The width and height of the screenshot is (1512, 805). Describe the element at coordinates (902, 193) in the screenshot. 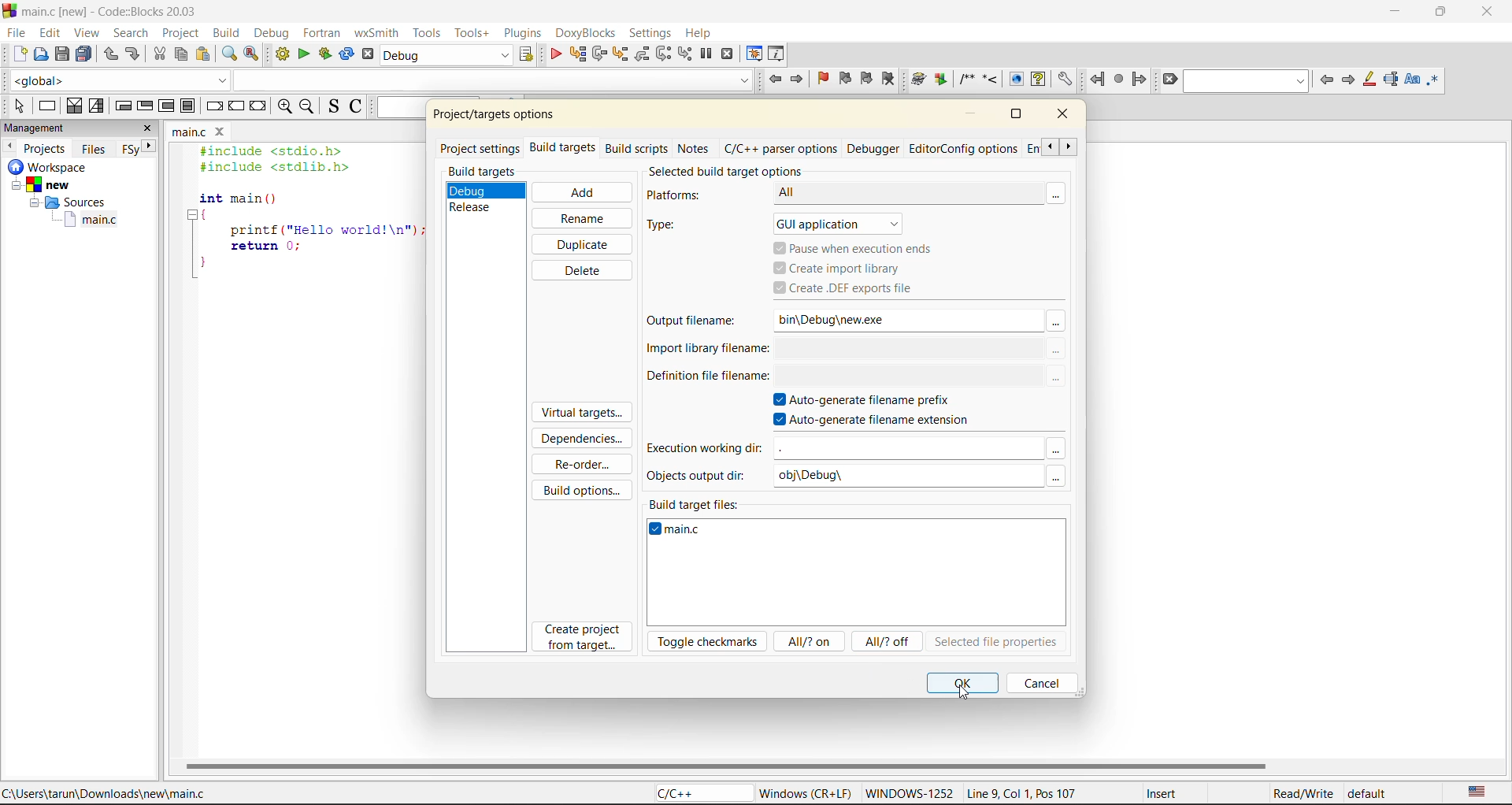

I see `All` at that location.